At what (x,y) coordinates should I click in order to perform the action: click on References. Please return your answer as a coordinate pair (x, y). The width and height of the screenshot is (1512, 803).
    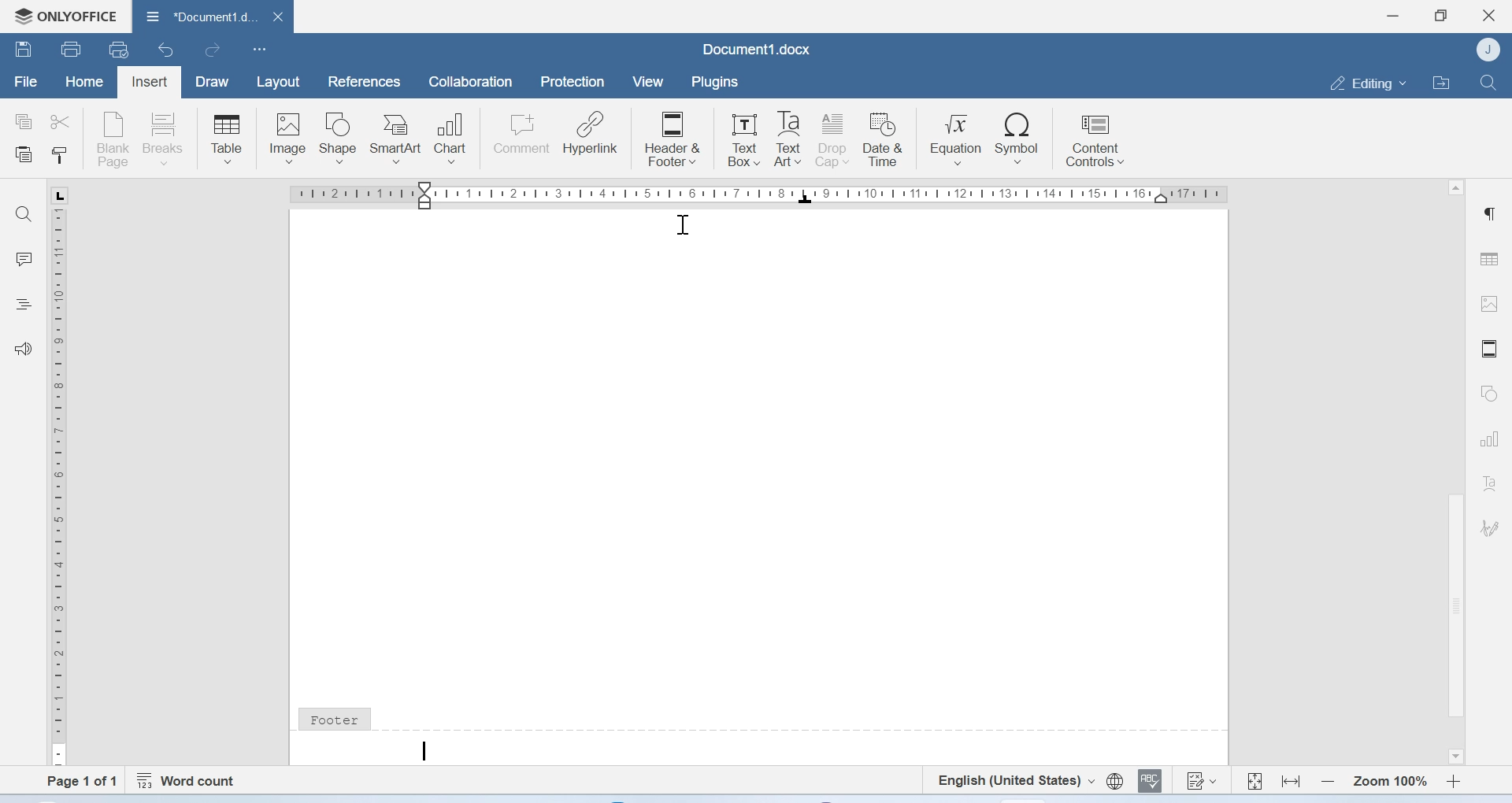
    Looking at the image, I should click on (361, 81).